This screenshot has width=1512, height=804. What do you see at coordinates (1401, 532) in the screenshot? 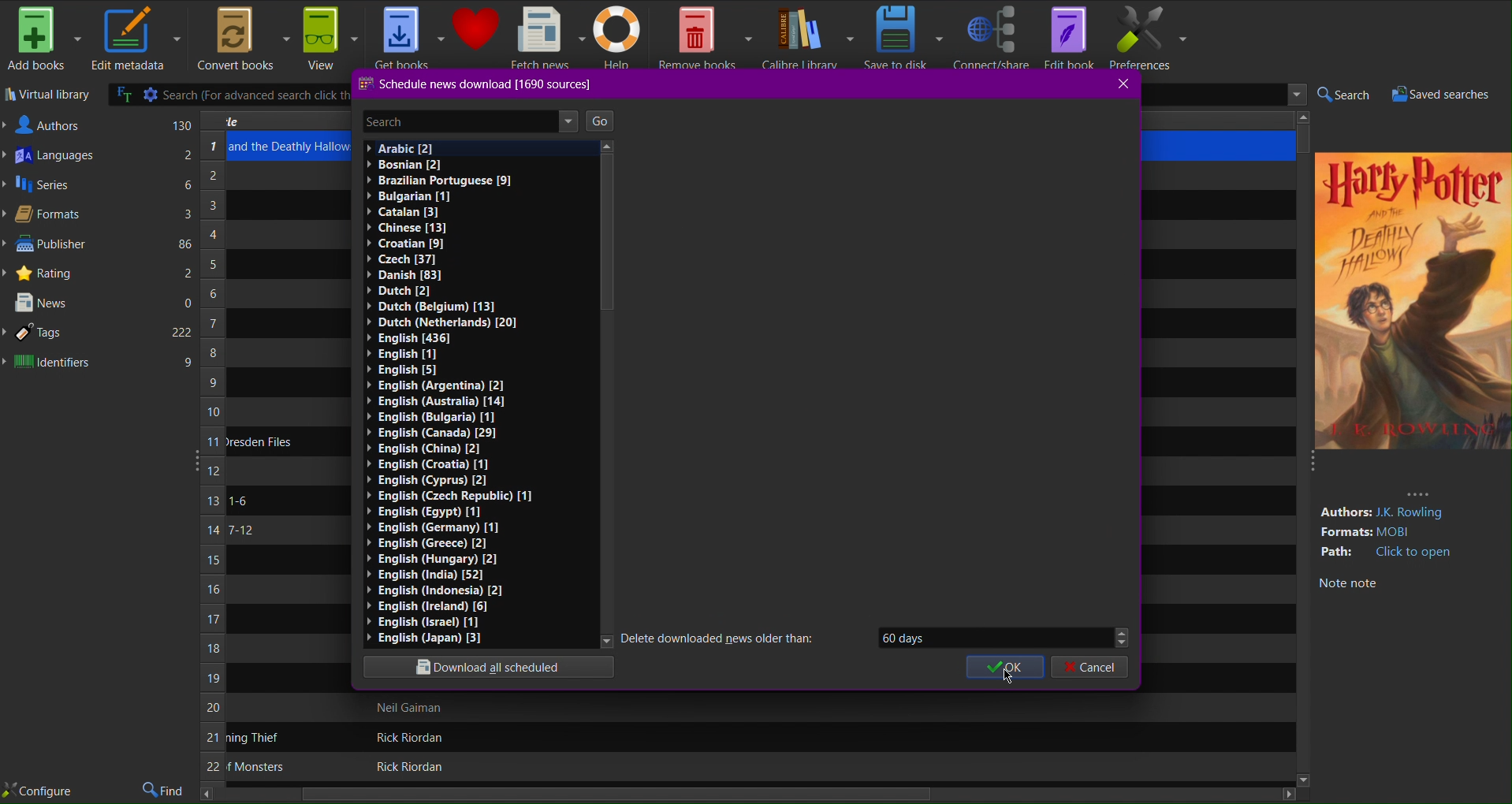
I see ` MOBI` at bounding box center [1401, 532].